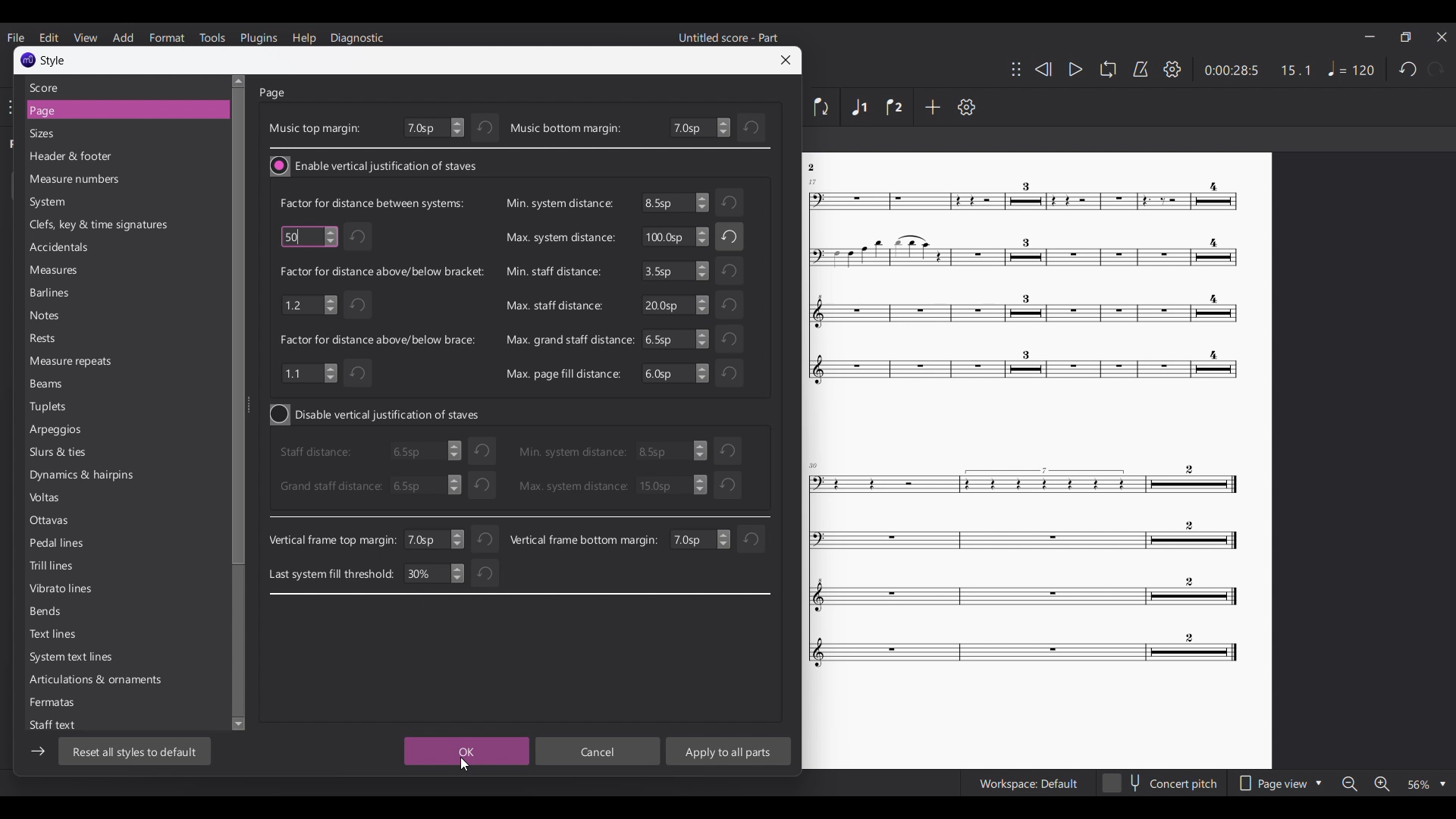 The height and width of the screenshot is (819, 1456). What do you see at coordinates (79, 500) in the screenshot?
I see `Volts` at bounding box center [79, 500].